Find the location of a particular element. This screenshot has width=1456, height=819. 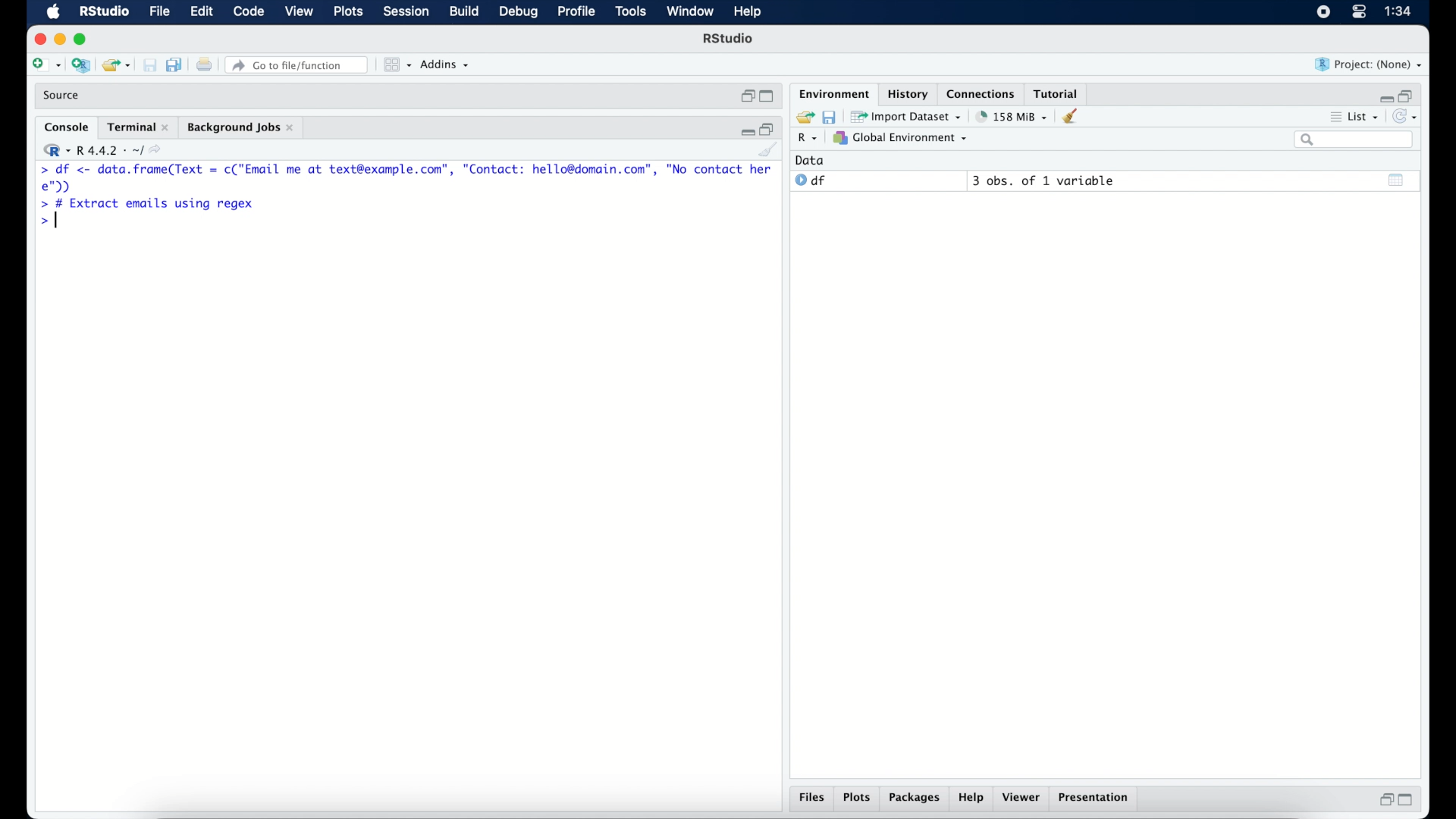

viewer is located at coordinates (1023, 798).